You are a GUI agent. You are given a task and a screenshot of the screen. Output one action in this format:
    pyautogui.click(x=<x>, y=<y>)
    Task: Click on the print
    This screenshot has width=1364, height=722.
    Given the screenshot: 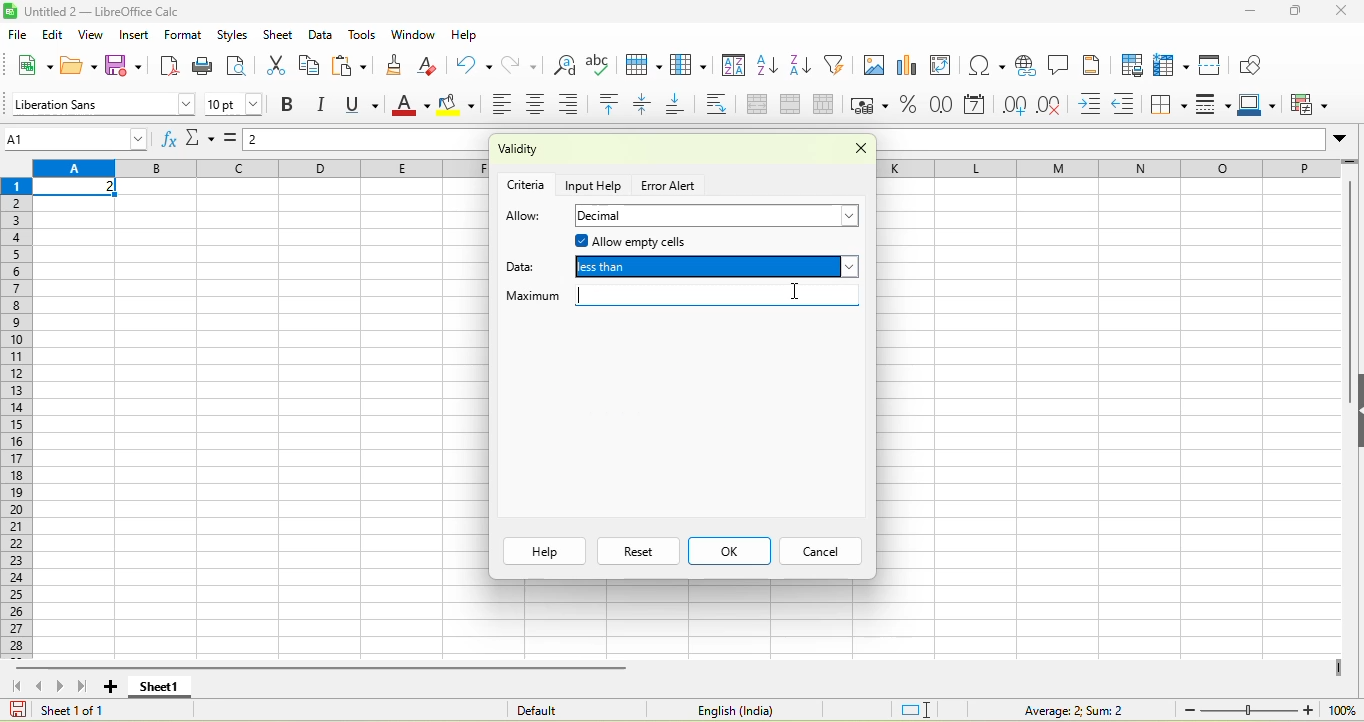 What is the action you would take?
    pyautogui.click(x=204, y=65)
    